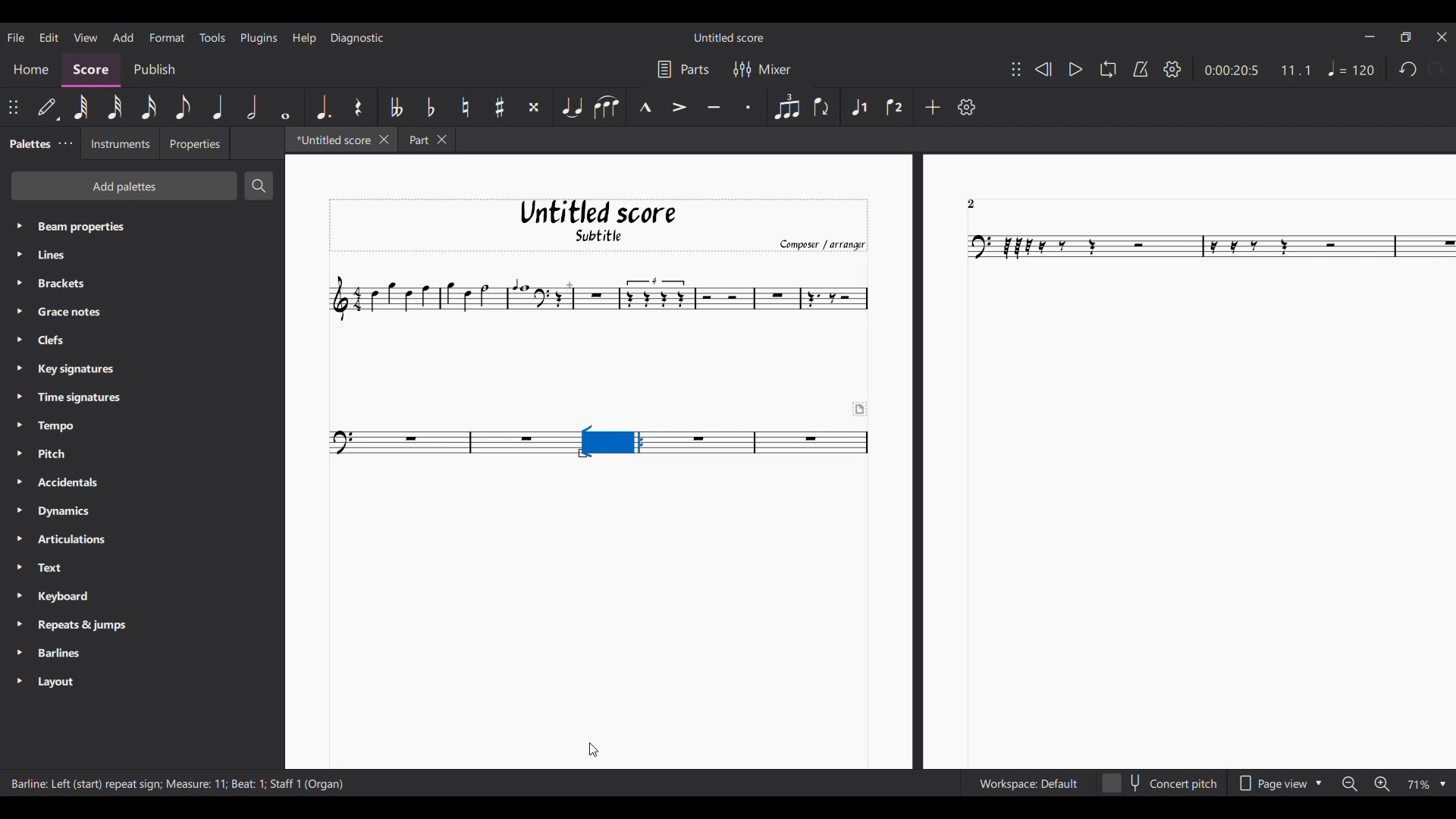 Image resolution: width=1456 pixels, height=819 pixels. What do you see at coordinates (895, 107) in the screenshot?
I see `Voice 2` at bounding box center [895, 107].